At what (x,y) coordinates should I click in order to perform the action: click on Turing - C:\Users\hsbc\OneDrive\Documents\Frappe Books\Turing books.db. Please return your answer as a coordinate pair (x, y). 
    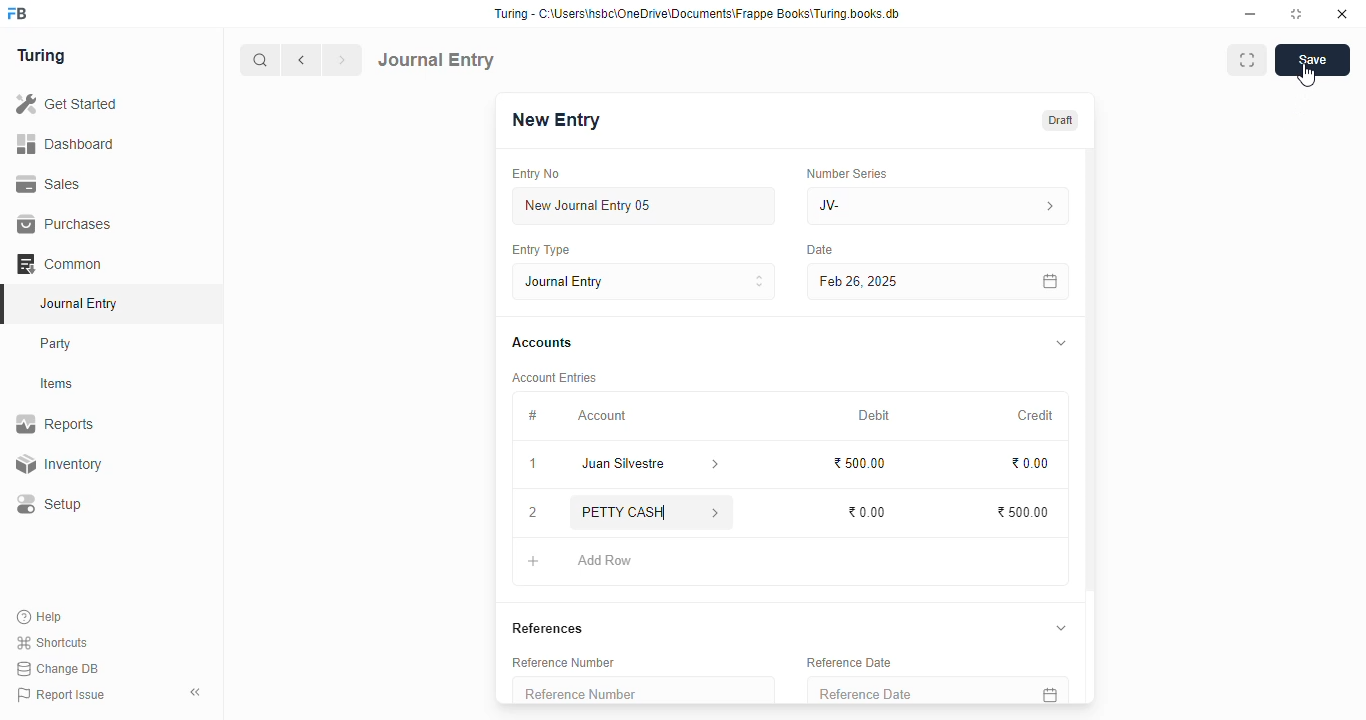
    Looking at the image, I should click on (696, 14).